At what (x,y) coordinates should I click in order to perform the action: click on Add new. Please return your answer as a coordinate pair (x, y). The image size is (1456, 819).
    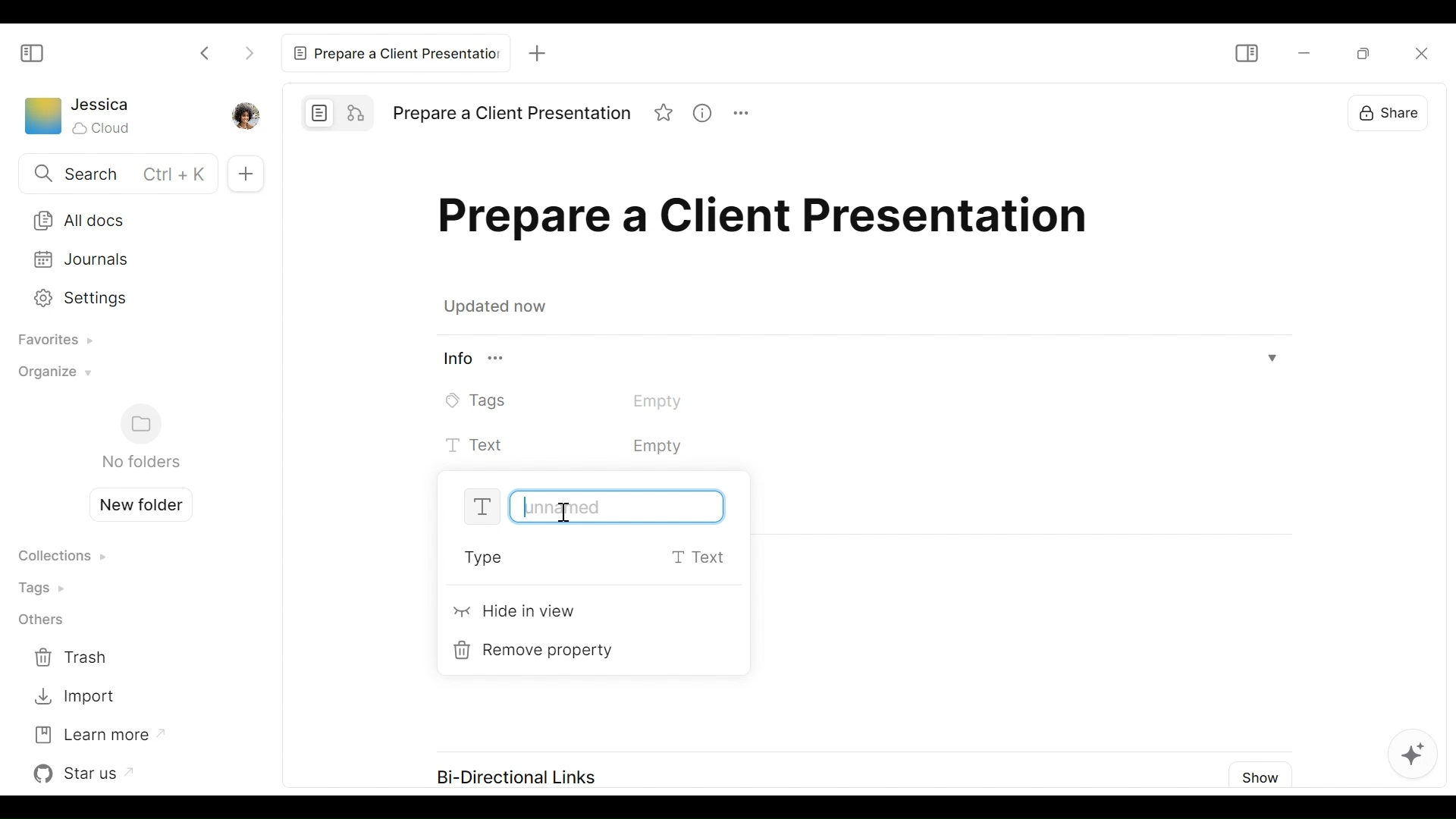
    Looking at the image, I should click on (243, 173).